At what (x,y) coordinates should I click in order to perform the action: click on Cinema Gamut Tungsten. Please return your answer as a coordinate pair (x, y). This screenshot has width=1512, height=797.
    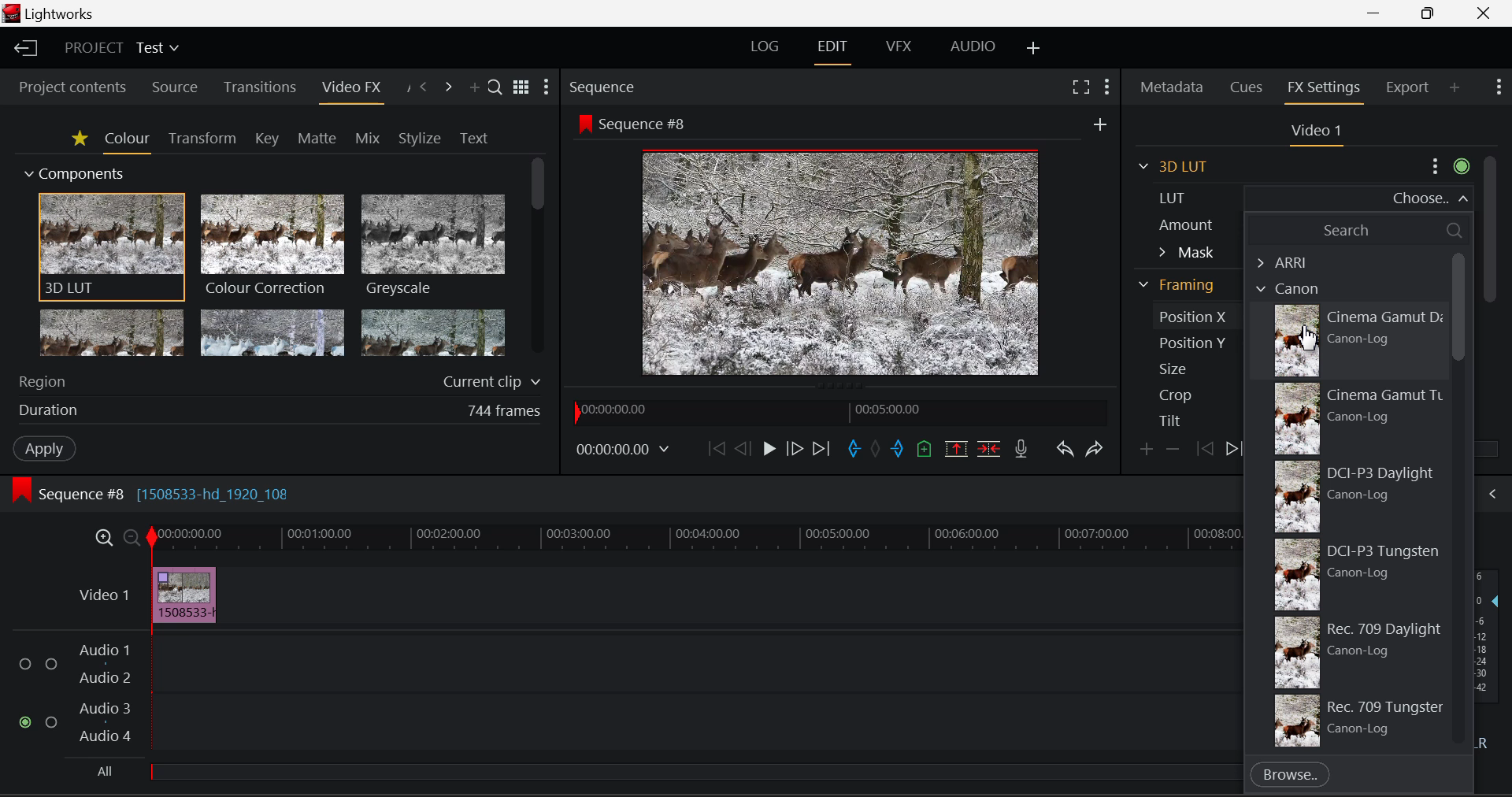
    Looking at the image, I should click on (1345, 419).